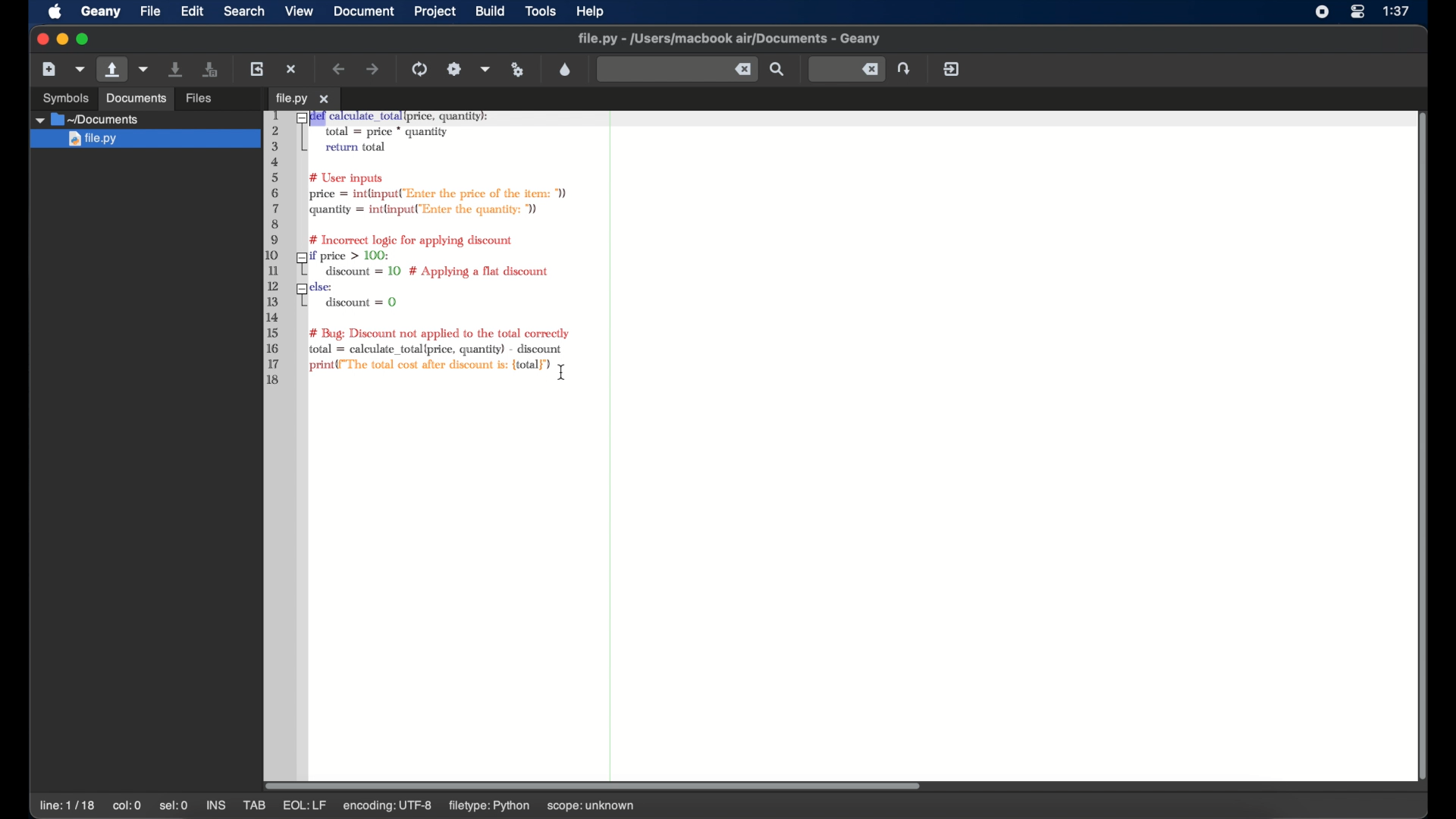 This screenshot has width=1456, height=819. I want to click on quit geany, so click(951, 68).